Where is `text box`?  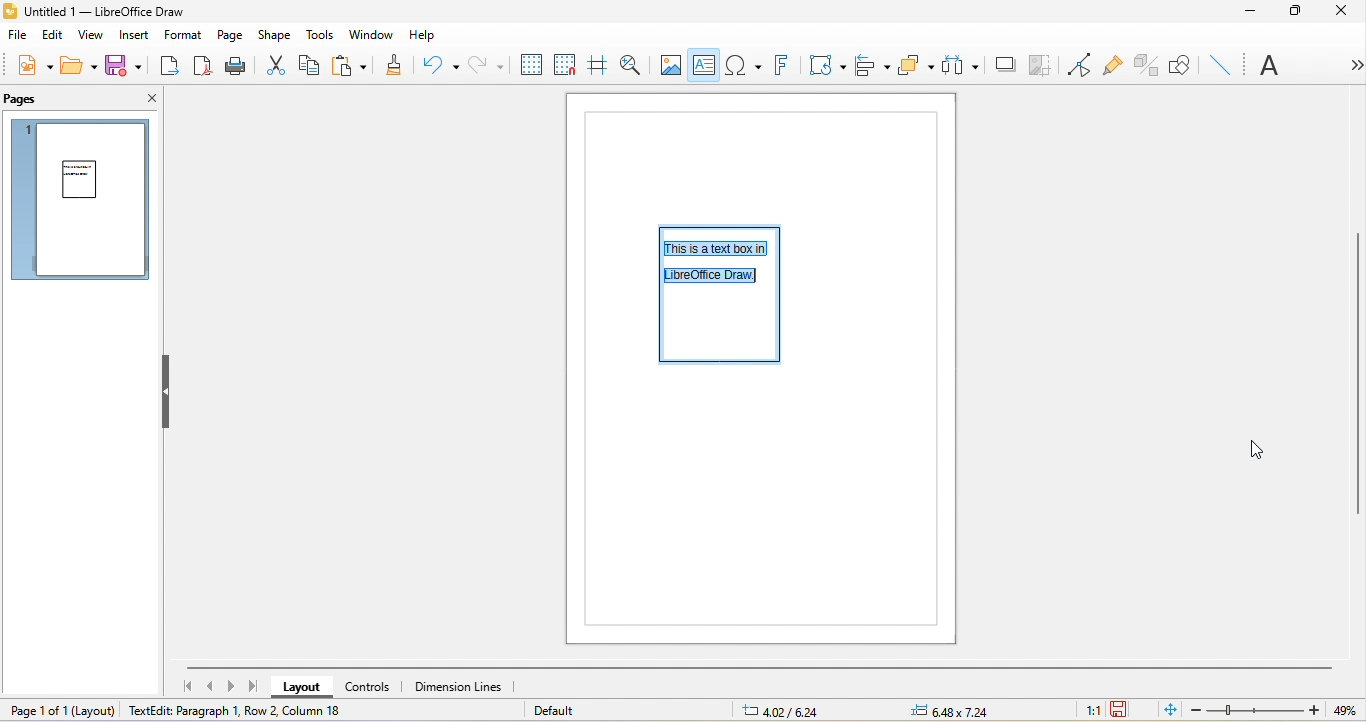 text box is located at coordinates (705, 65).